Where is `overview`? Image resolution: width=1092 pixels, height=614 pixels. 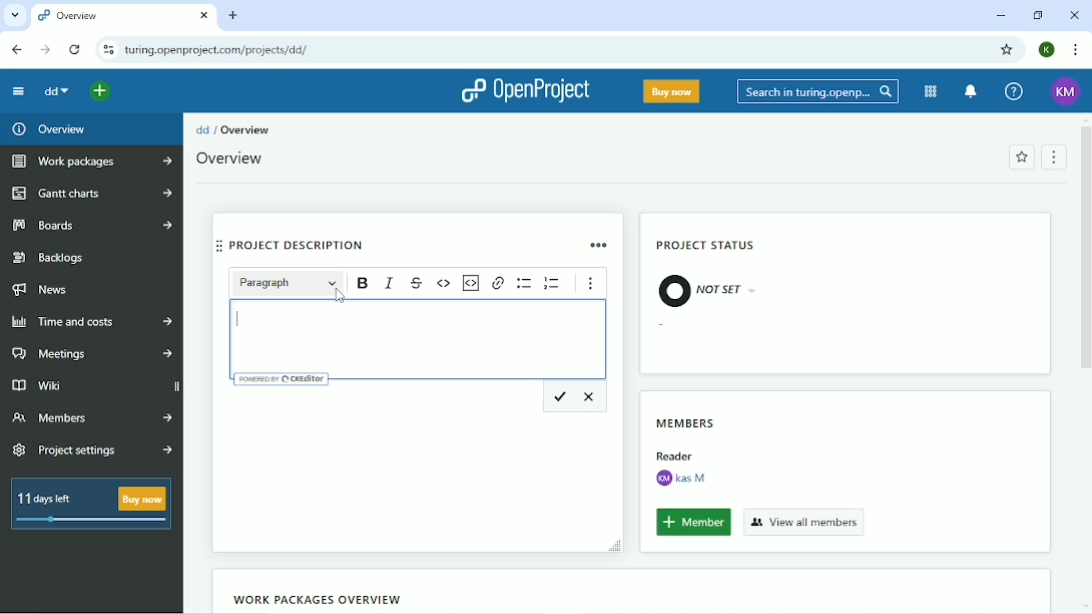 overview is located at coordinates (124, 17).